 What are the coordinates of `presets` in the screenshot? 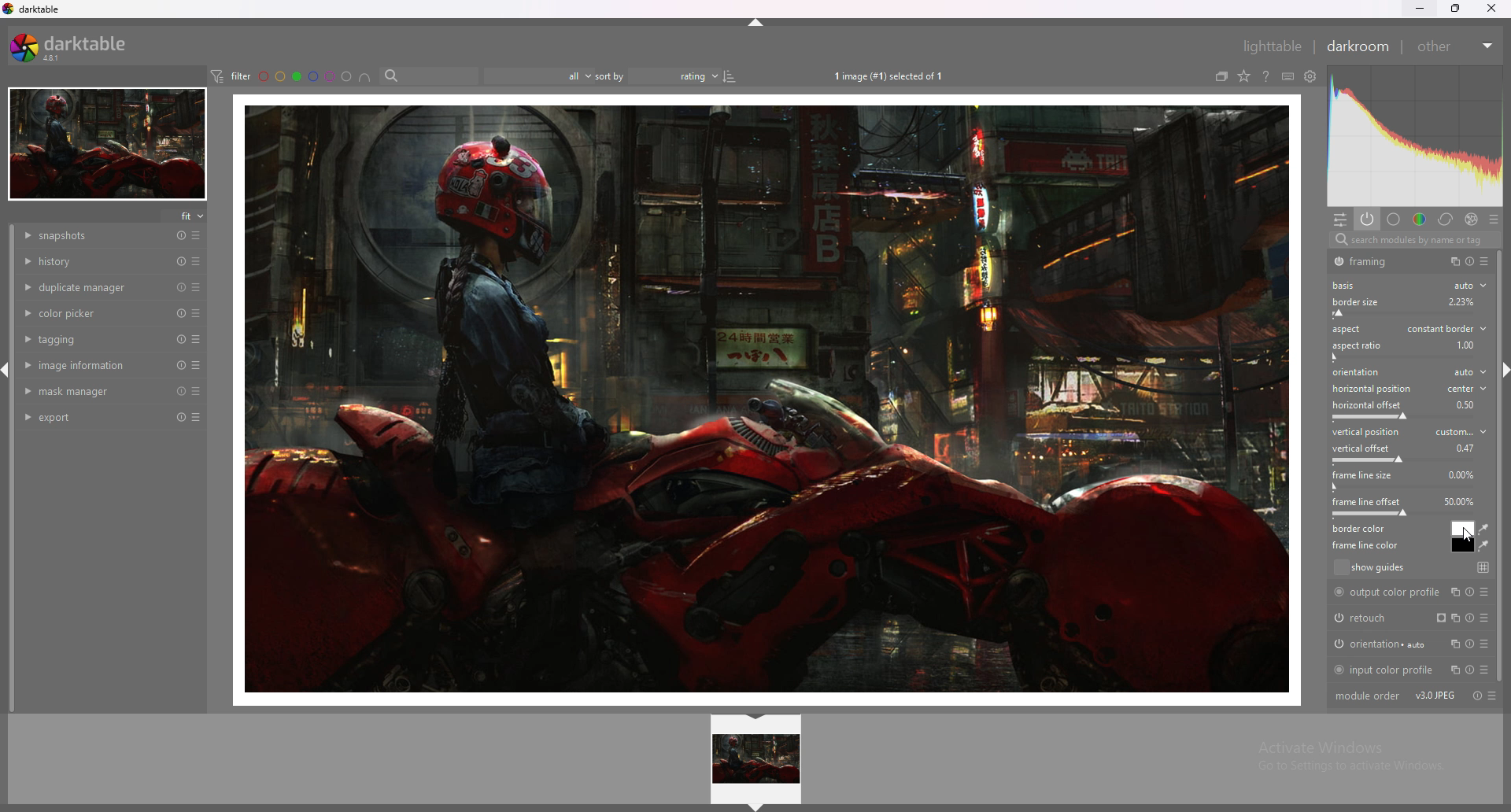 It's located at (197, 261).